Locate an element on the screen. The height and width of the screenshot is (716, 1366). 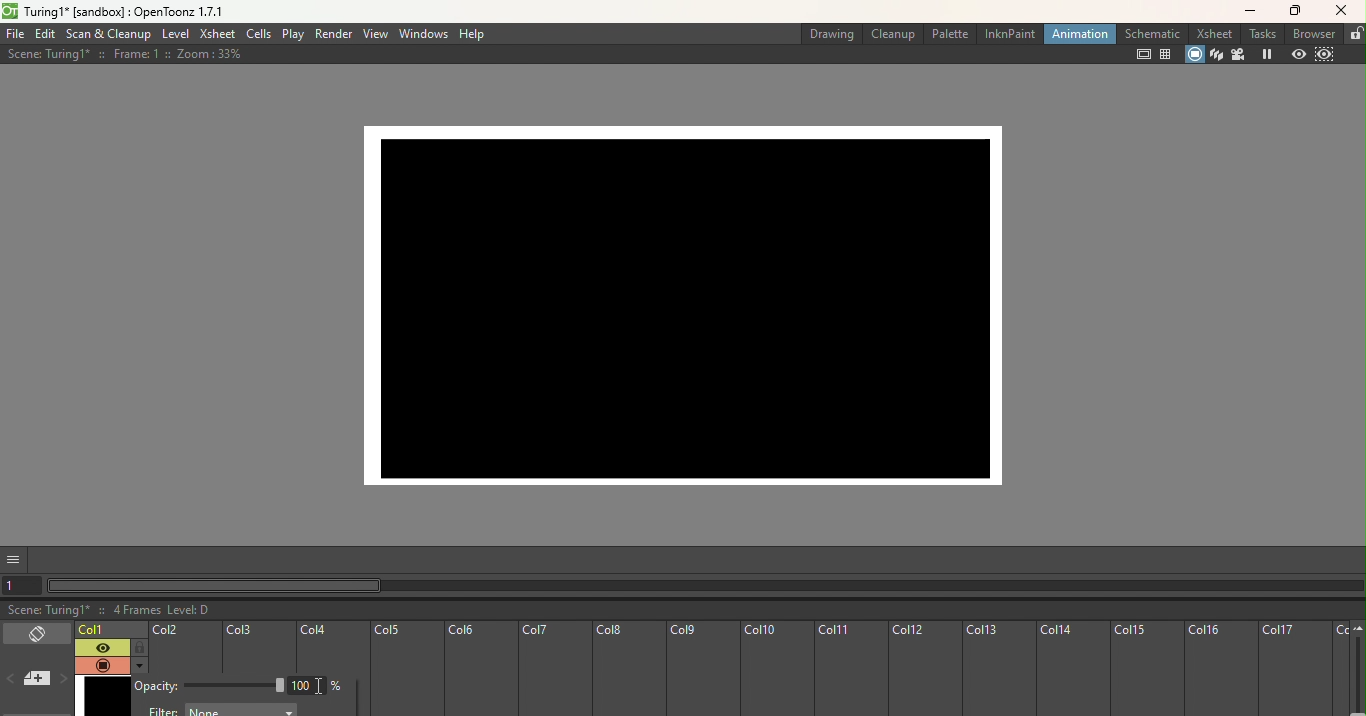
Col15 is located at coordinates (1148, 669).